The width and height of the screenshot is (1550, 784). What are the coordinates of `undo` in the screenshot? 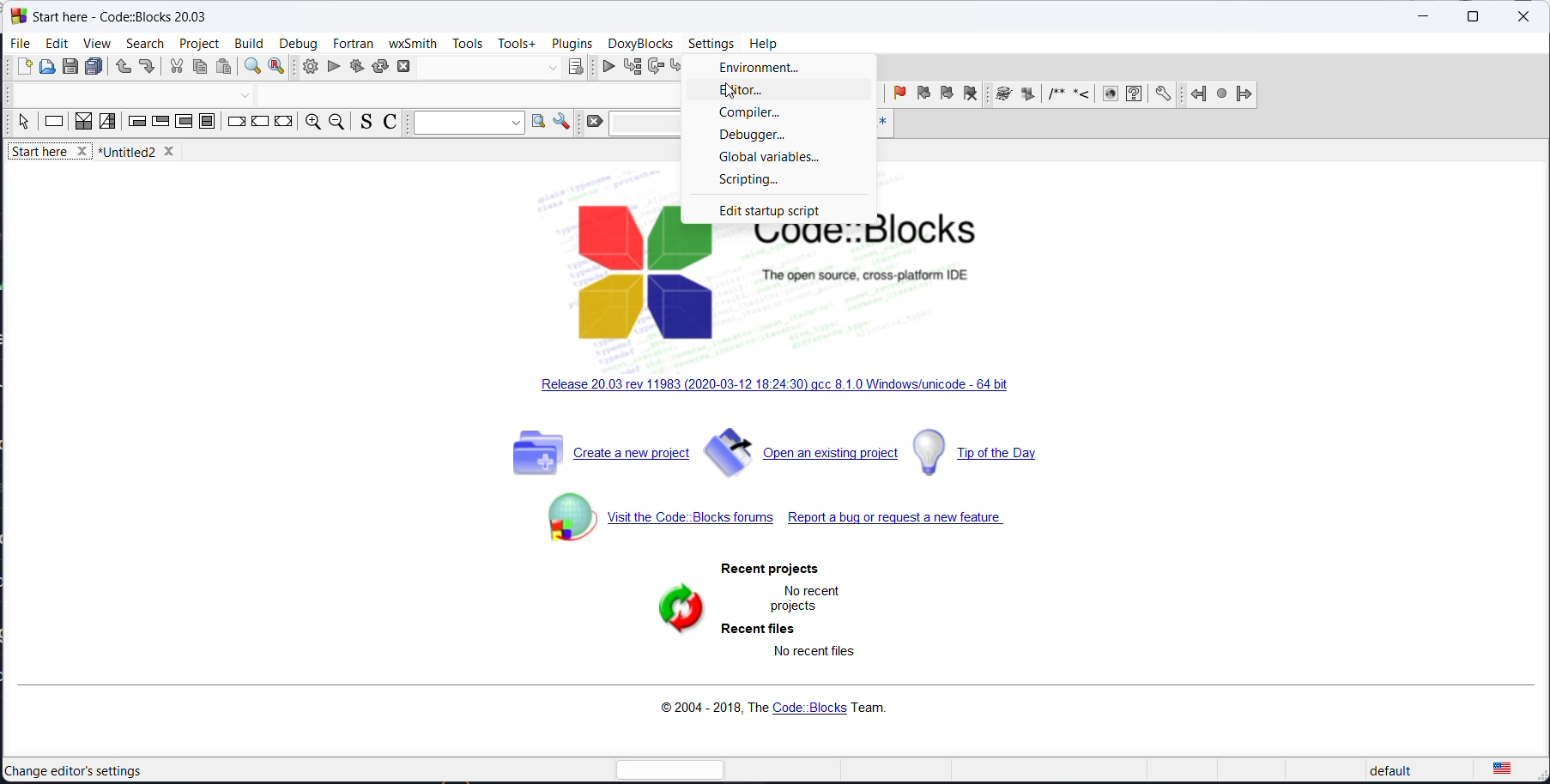 It's located at (119, 69).